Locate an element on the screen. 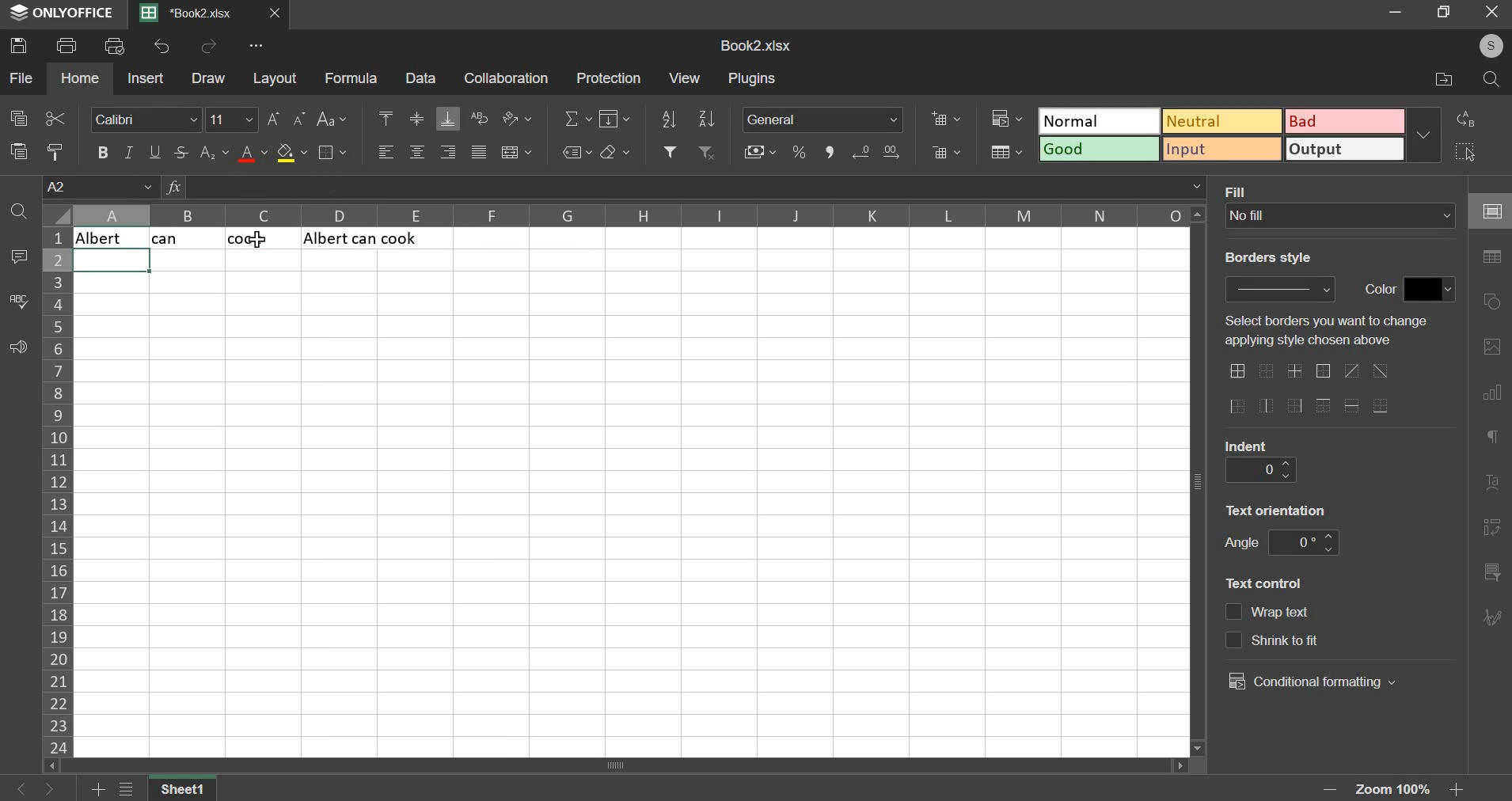  cell is located at coordinates (1490, 212).